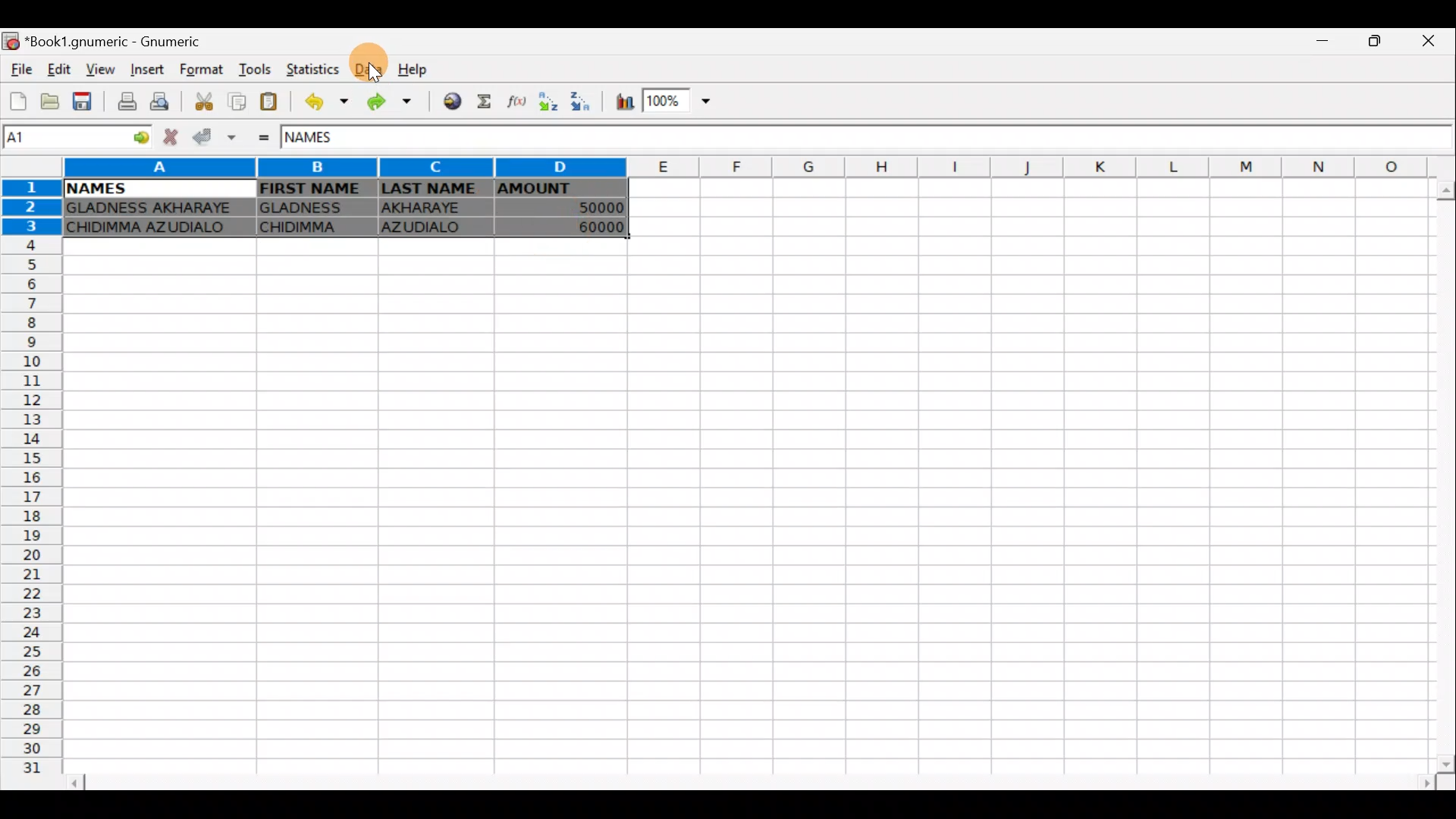  Describe the element at coordinates (21, 71) in the screenshot. I see `File` at that location.